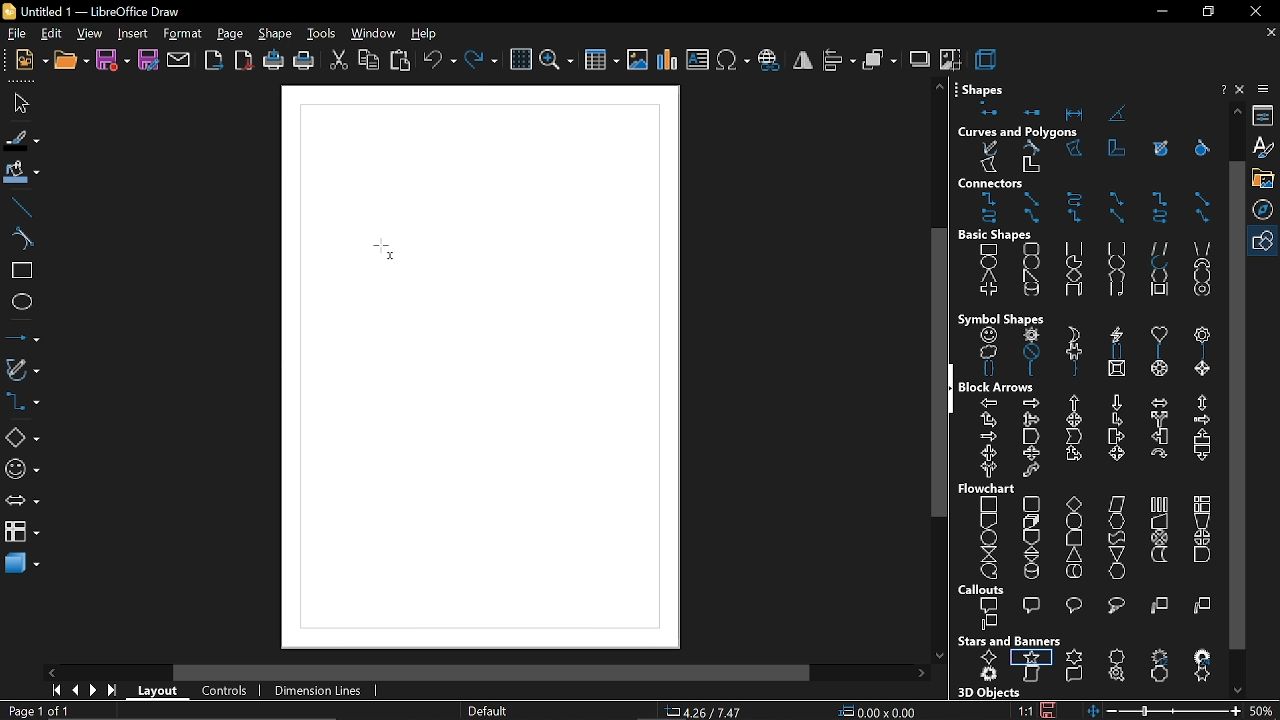 The width and height of the screenshot is (1280, 720). I want to click on flowchart, so click(987, 487).